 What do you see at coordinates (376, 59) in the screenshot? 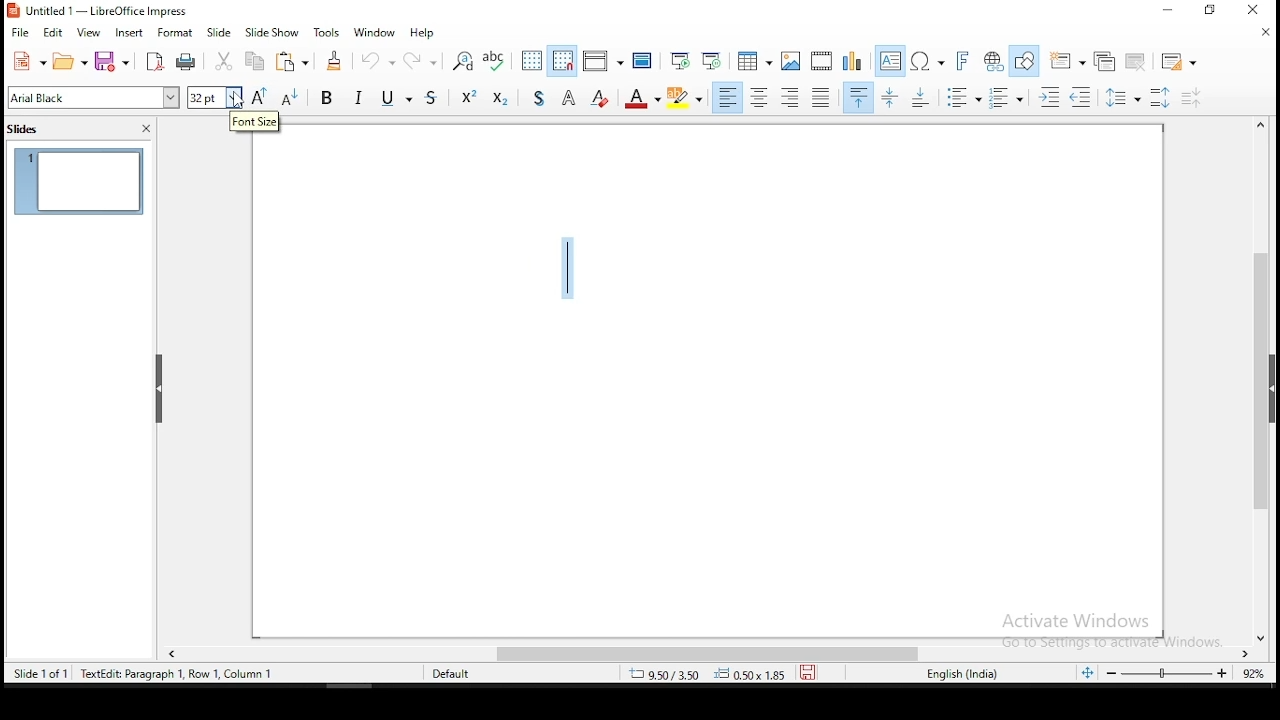
I see `undo` at bounding box center [376, 59].